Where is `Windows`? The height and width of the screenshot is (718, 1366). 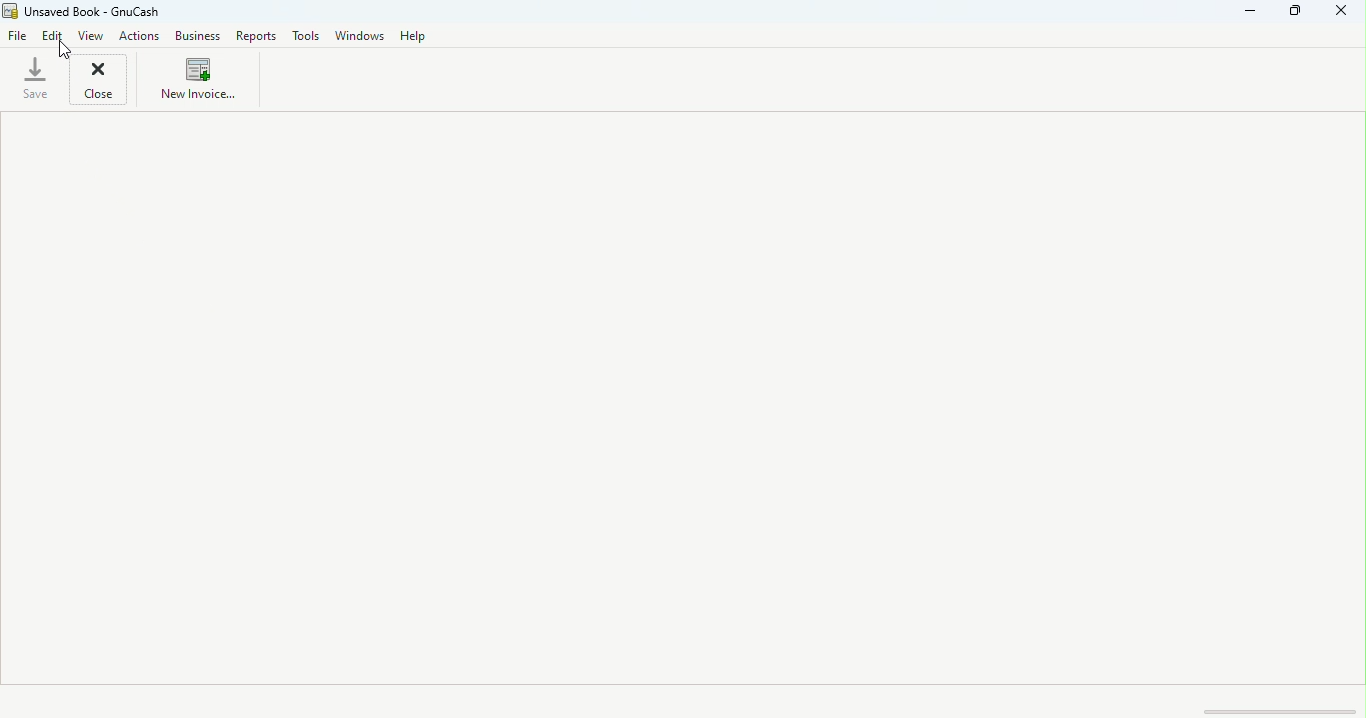
Windows is located at coordinates (361, 36).